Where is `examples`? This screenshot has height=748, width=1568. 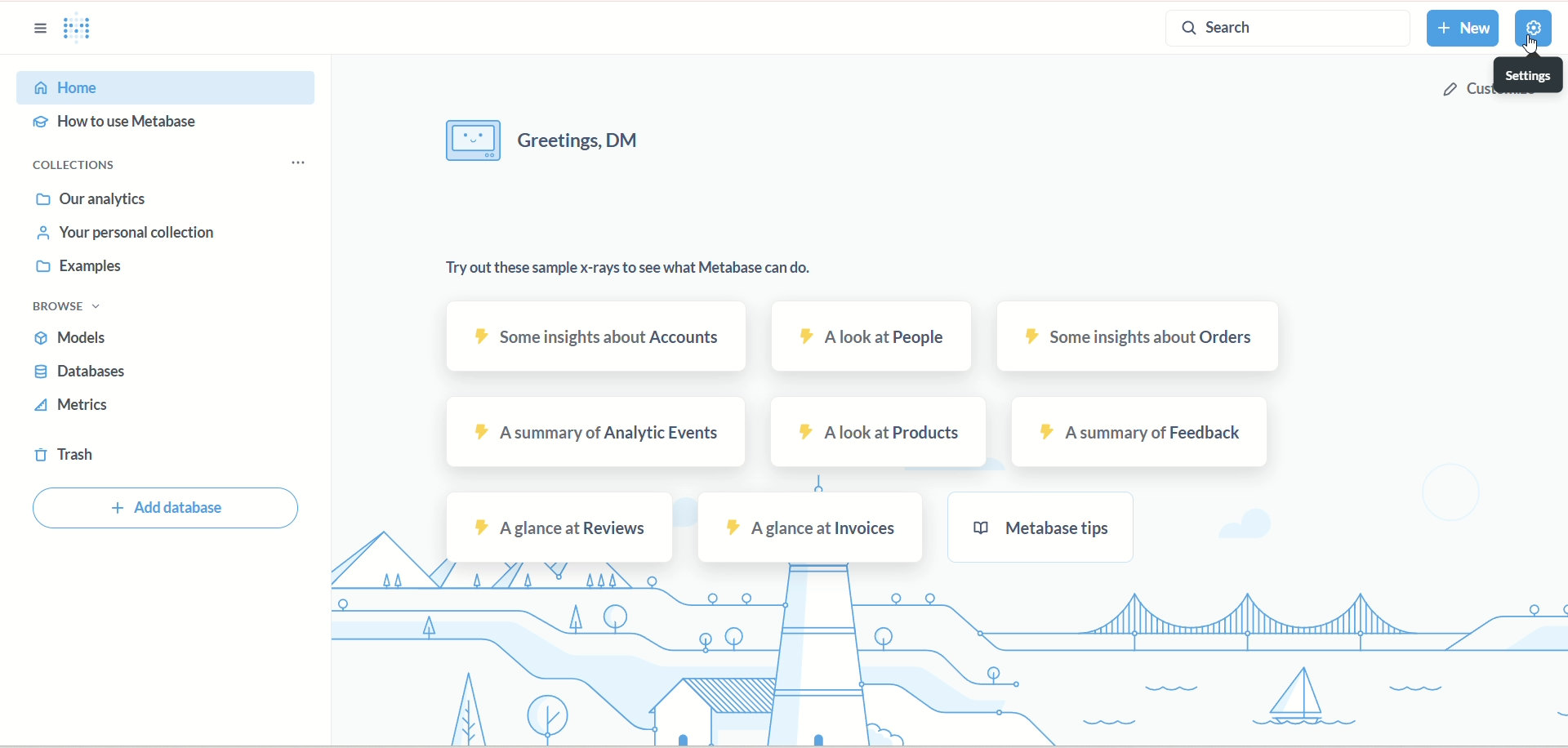 examples is located at coordinates (78, 269).